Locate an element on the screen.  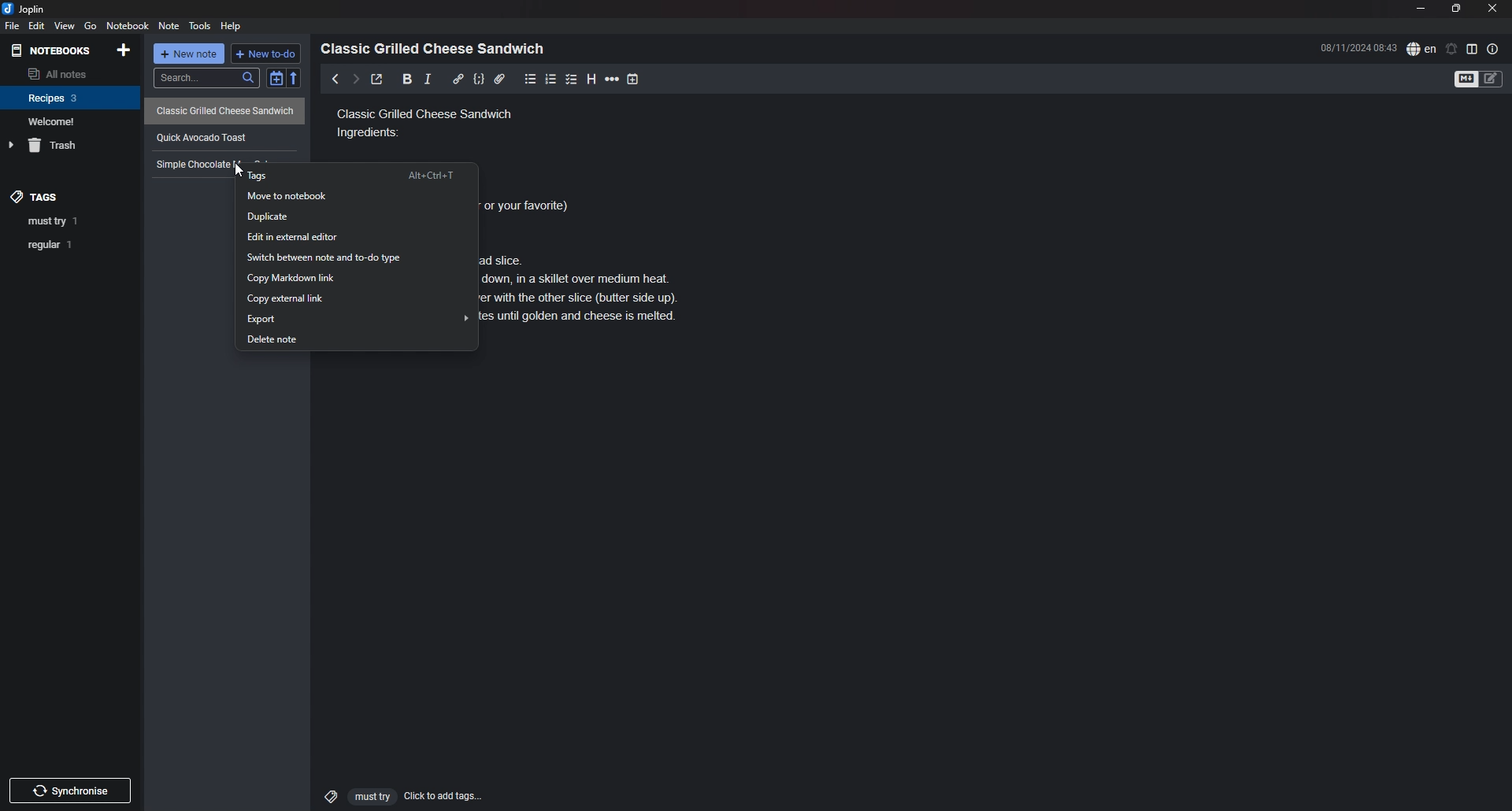
reverse sort order is located at coordinates (297, 79).